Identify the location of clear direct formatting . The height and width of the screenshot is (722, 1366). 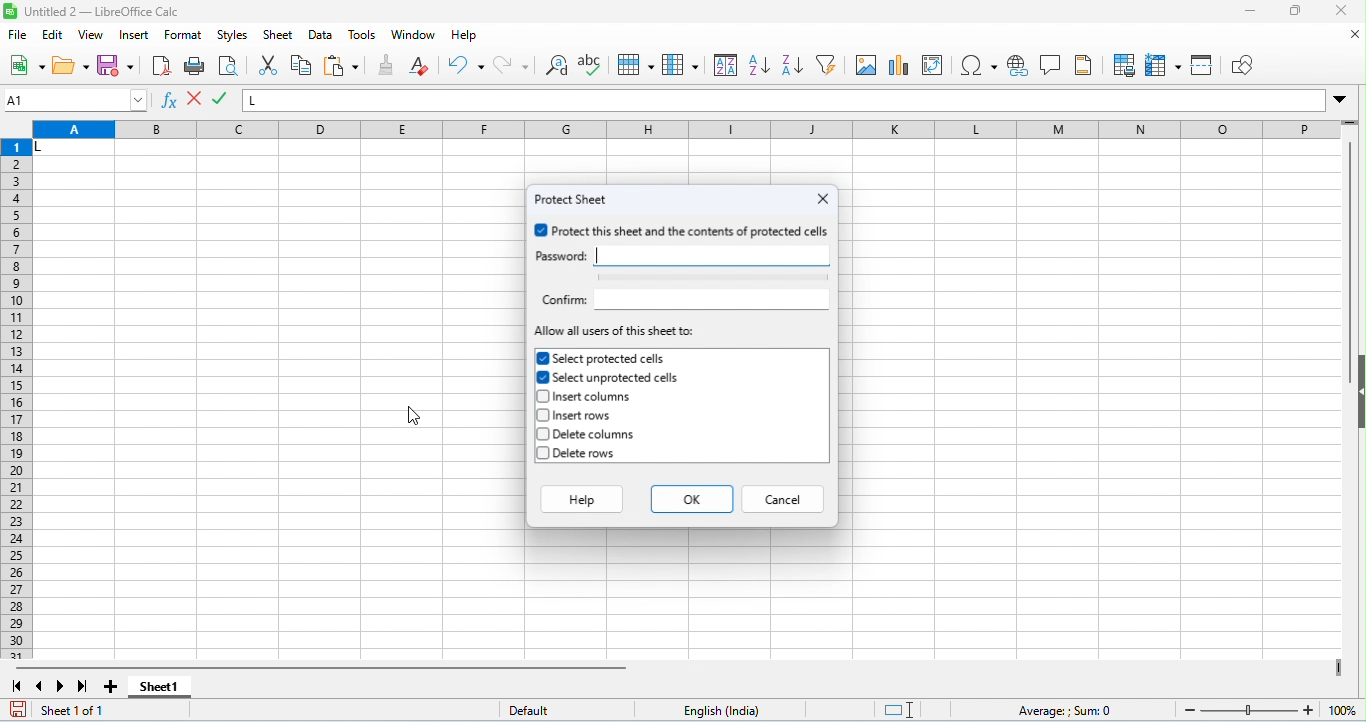
(419, 65).